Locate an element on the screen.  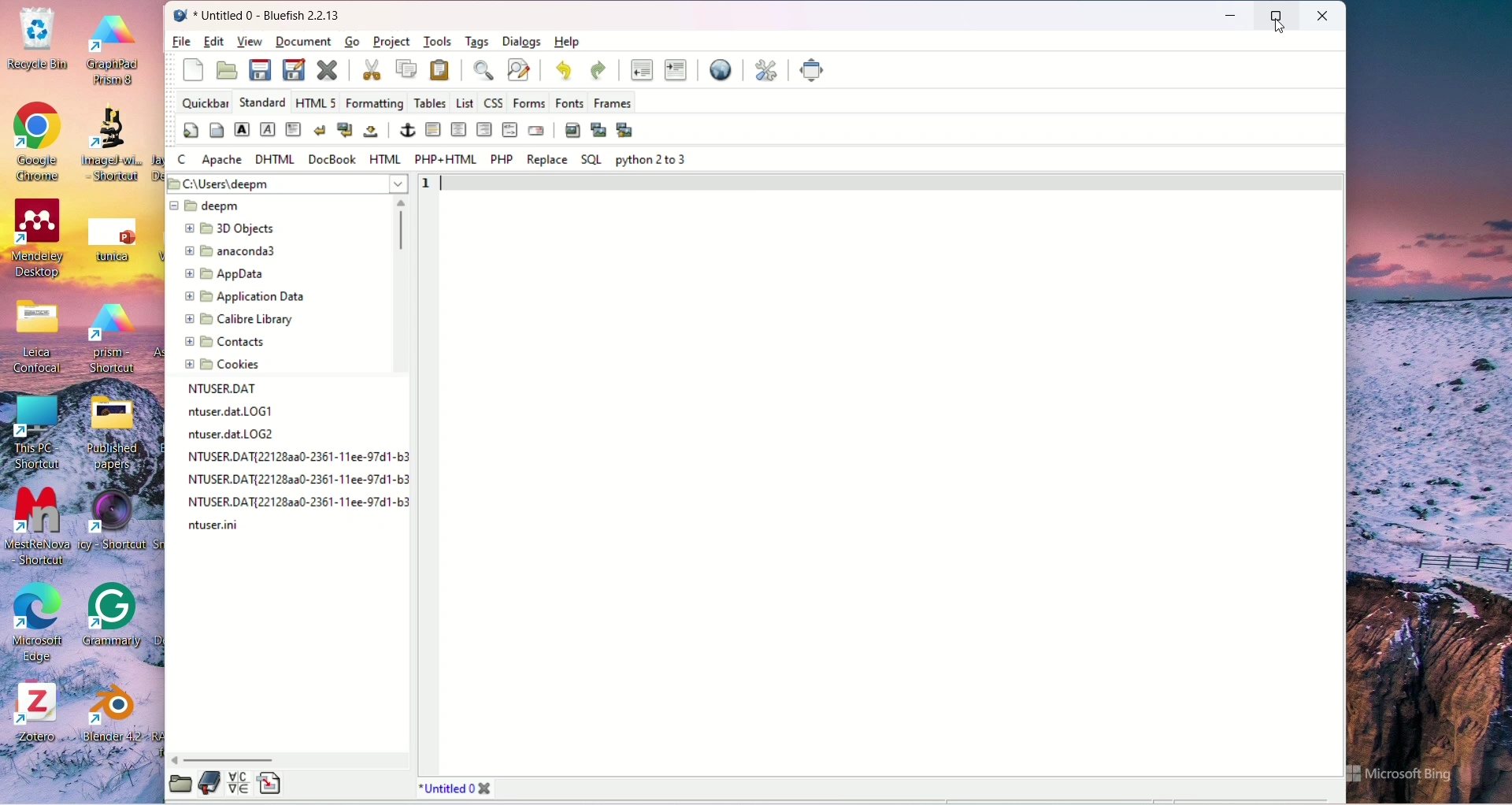
contacts is located at coordinates (226, 343).